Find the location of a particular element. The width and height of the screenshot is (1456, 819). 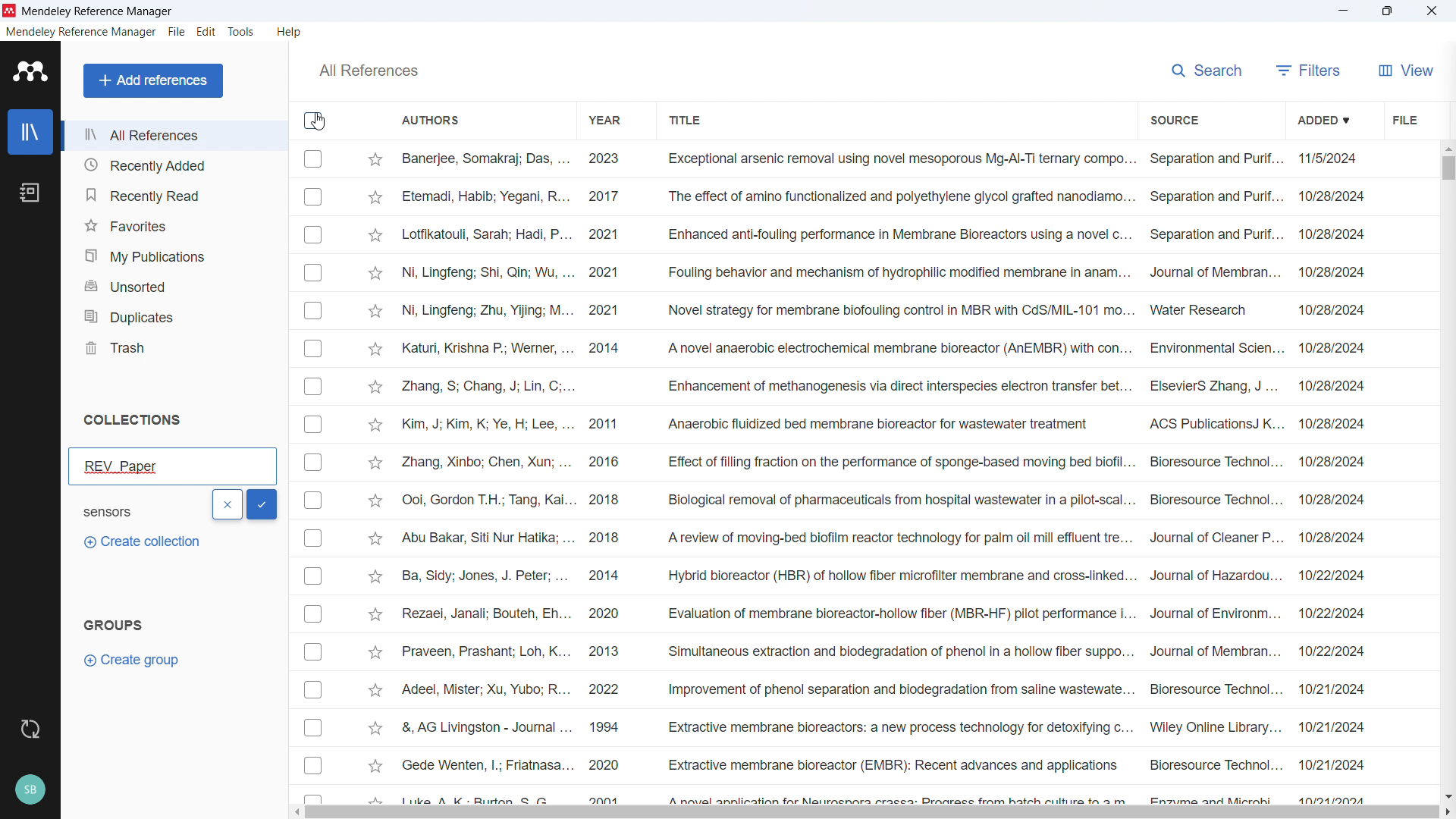

Select respective publication is located at coordinates (313, 349).